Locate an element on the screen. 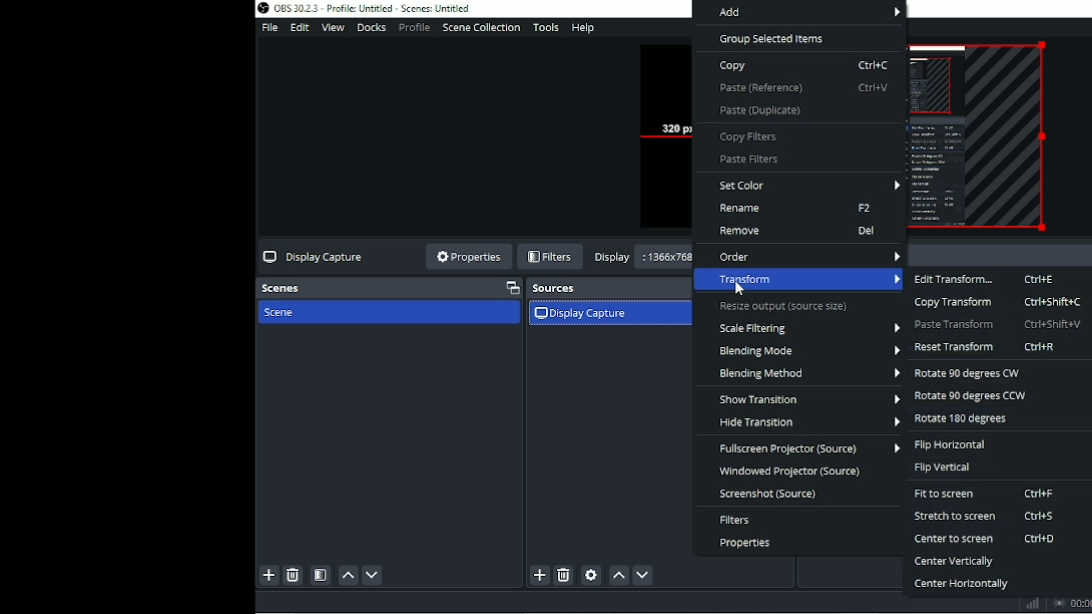 This screenshot has width=1092, height=614. Stretch to screen is located at coordinates (988, 516).